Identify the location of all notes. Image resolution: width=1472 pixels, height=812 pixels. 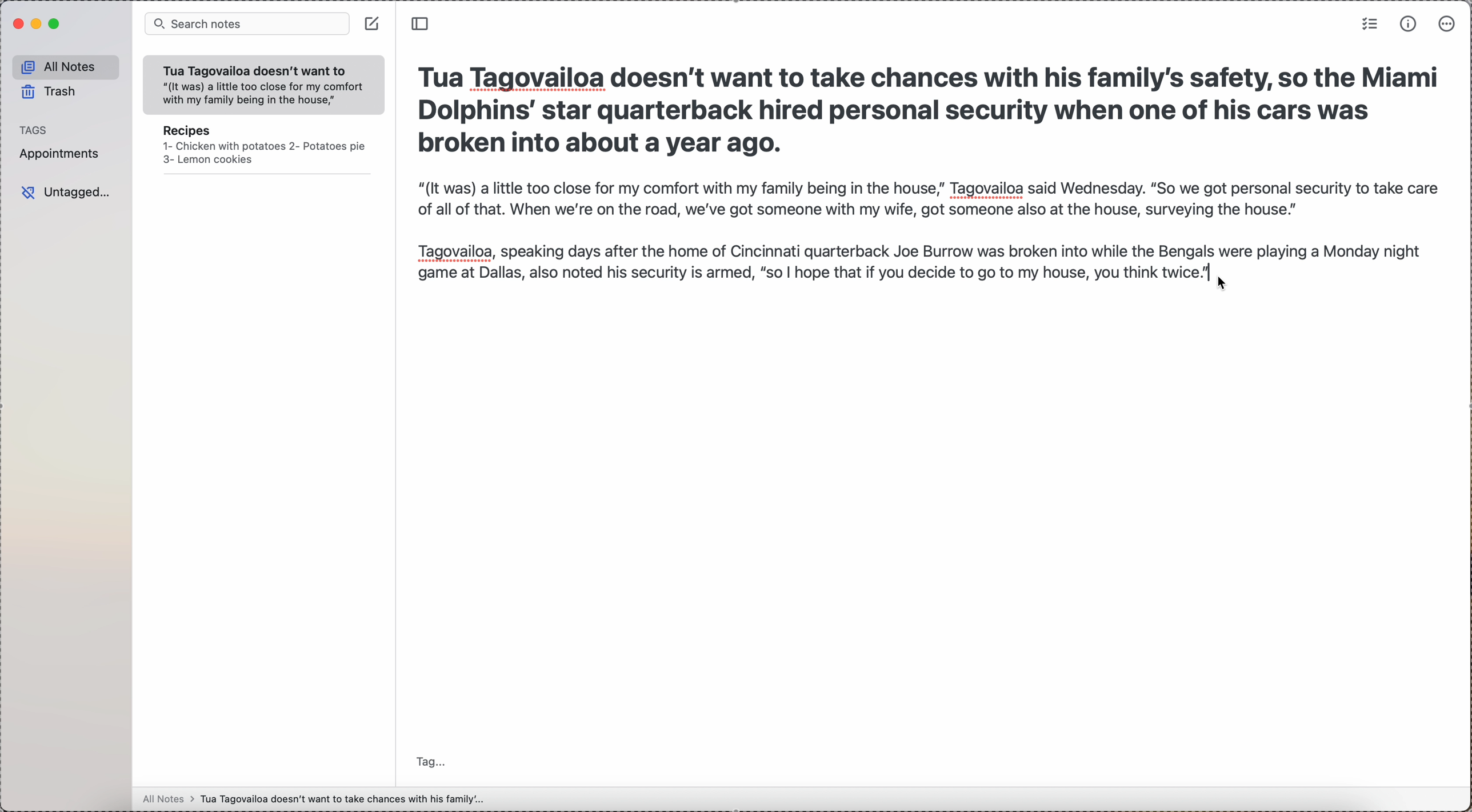
(312, 801).